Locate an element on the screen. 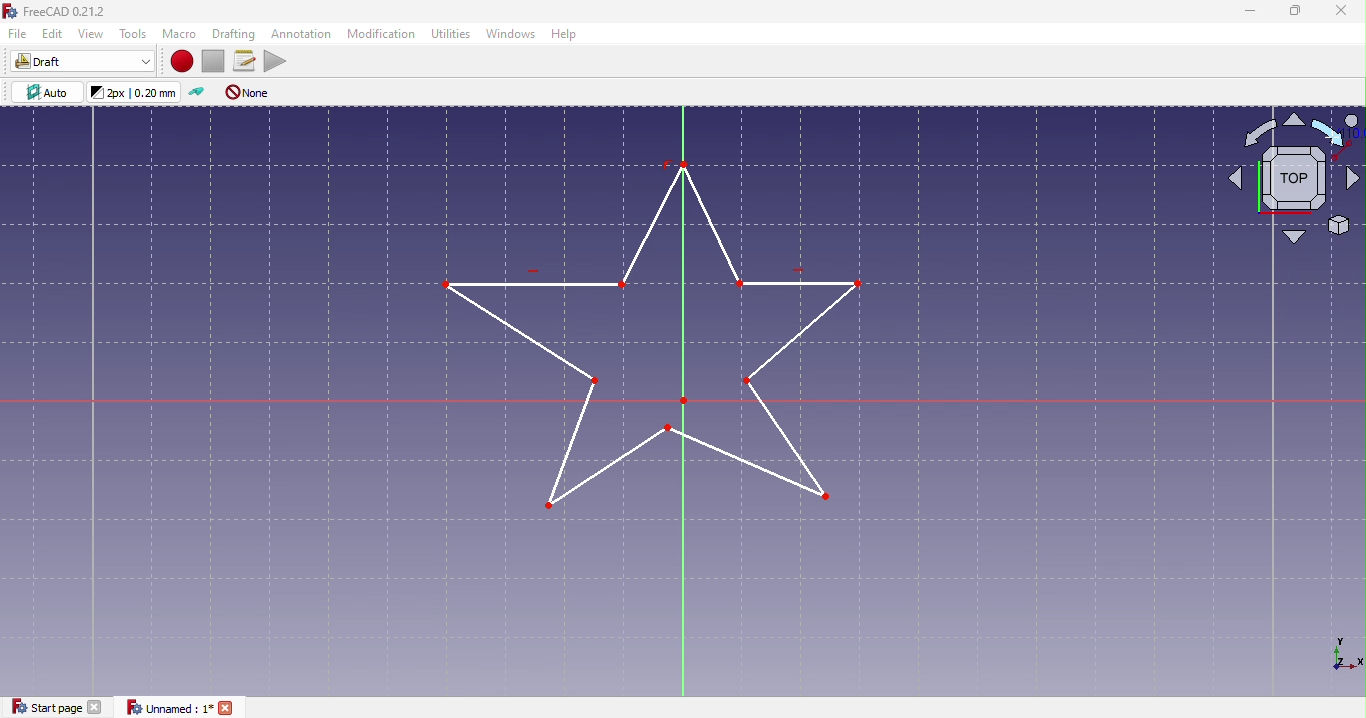  Minimize is located at coordinates (1248, 12).